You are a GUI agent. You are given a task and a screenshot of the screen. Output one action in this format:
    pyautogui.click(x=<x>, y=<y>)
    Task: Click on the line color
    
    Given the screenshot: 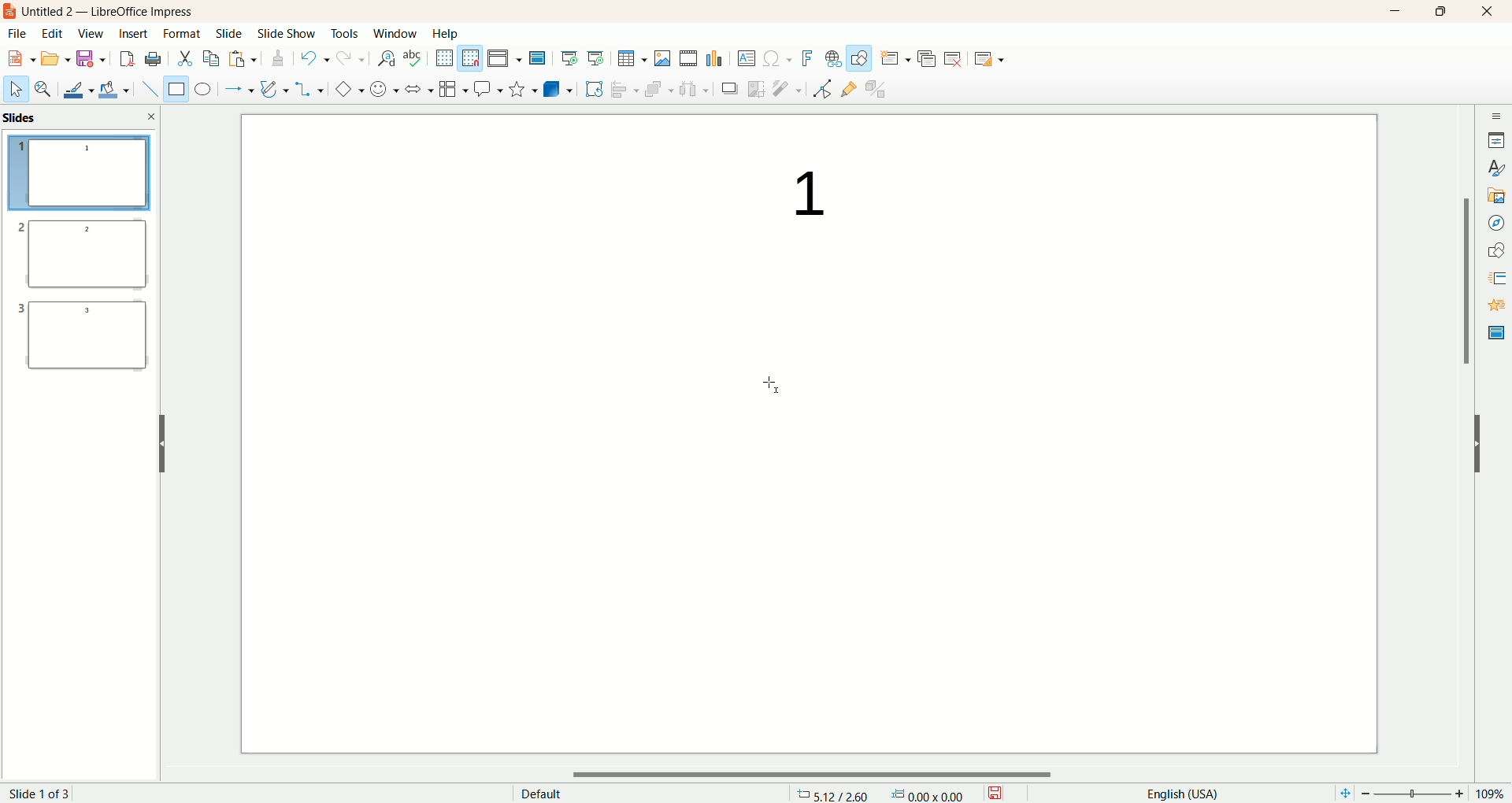 What is the action you would take?
    pyautogui.click(x=75, y=89)
    